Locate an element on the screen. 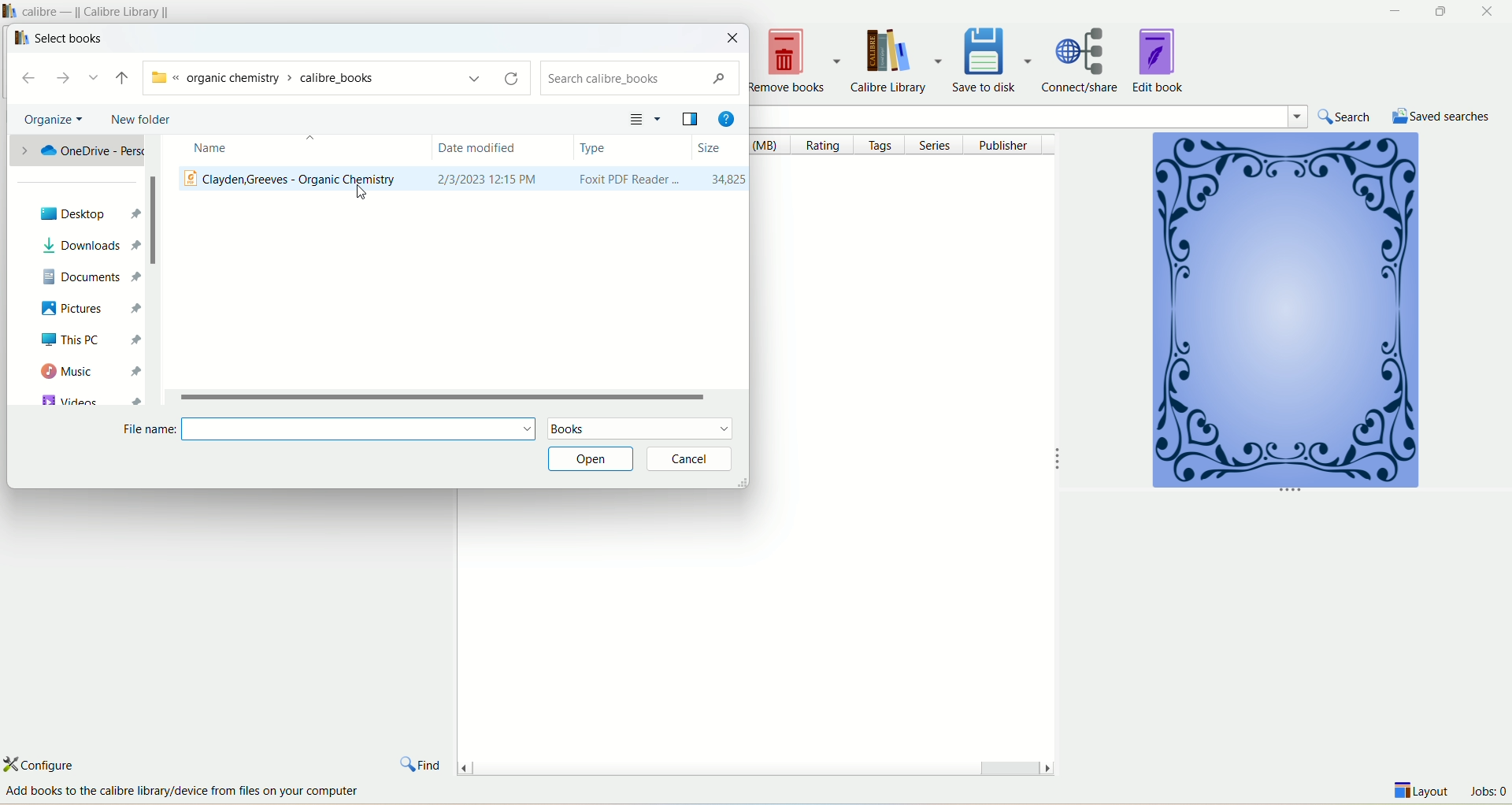 This screenshot has height=805, width=1512. music is located at coordinates (88, 372).